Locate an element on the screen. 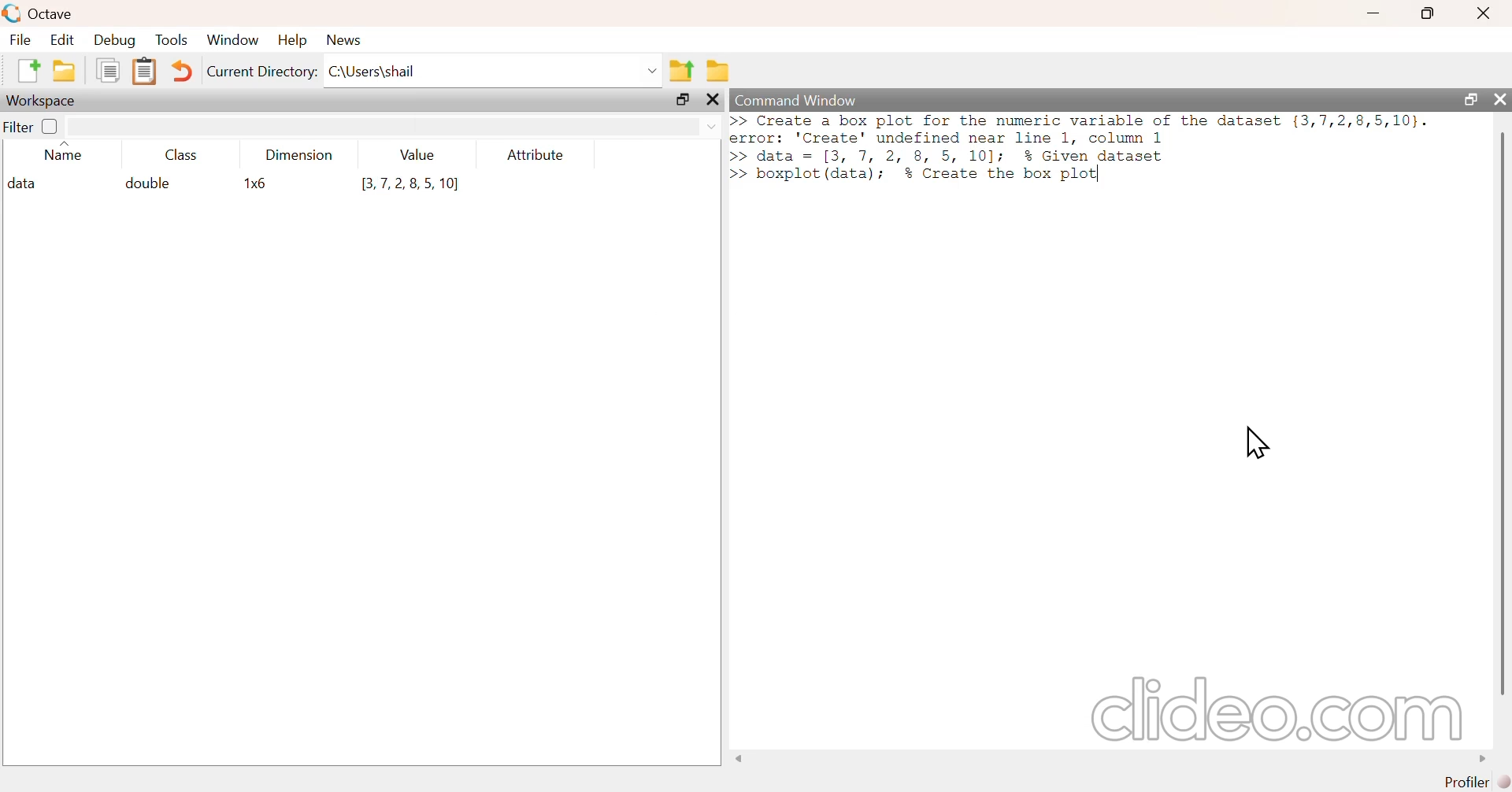 The height and width of the screenshot is (792, 1512). scrollbar is located at coordinates (1503, 412).